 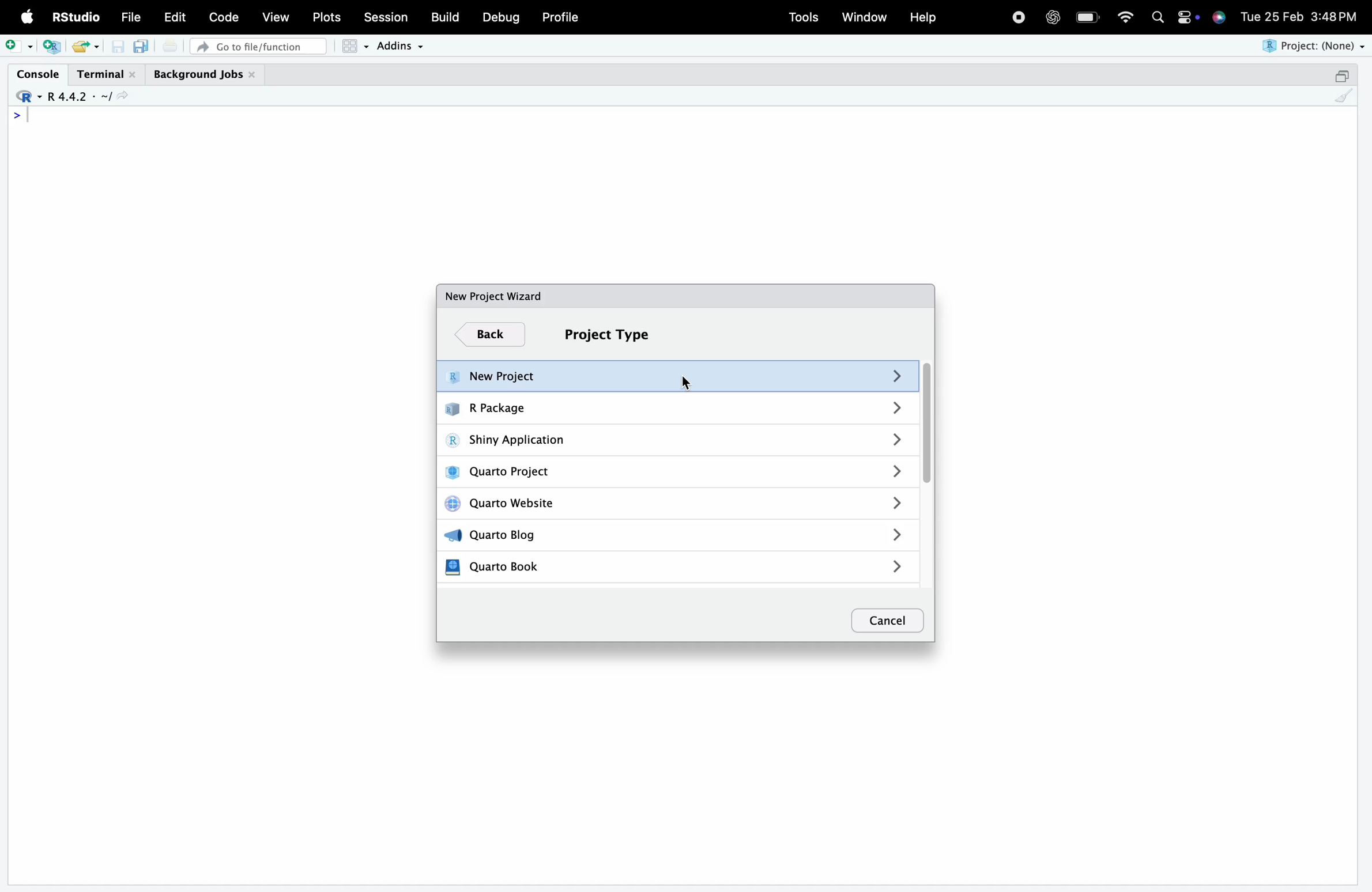 What do you see at coordinates (170, 46) in the screenshot?
I see `print the current file` at bounding box center [170, 46].